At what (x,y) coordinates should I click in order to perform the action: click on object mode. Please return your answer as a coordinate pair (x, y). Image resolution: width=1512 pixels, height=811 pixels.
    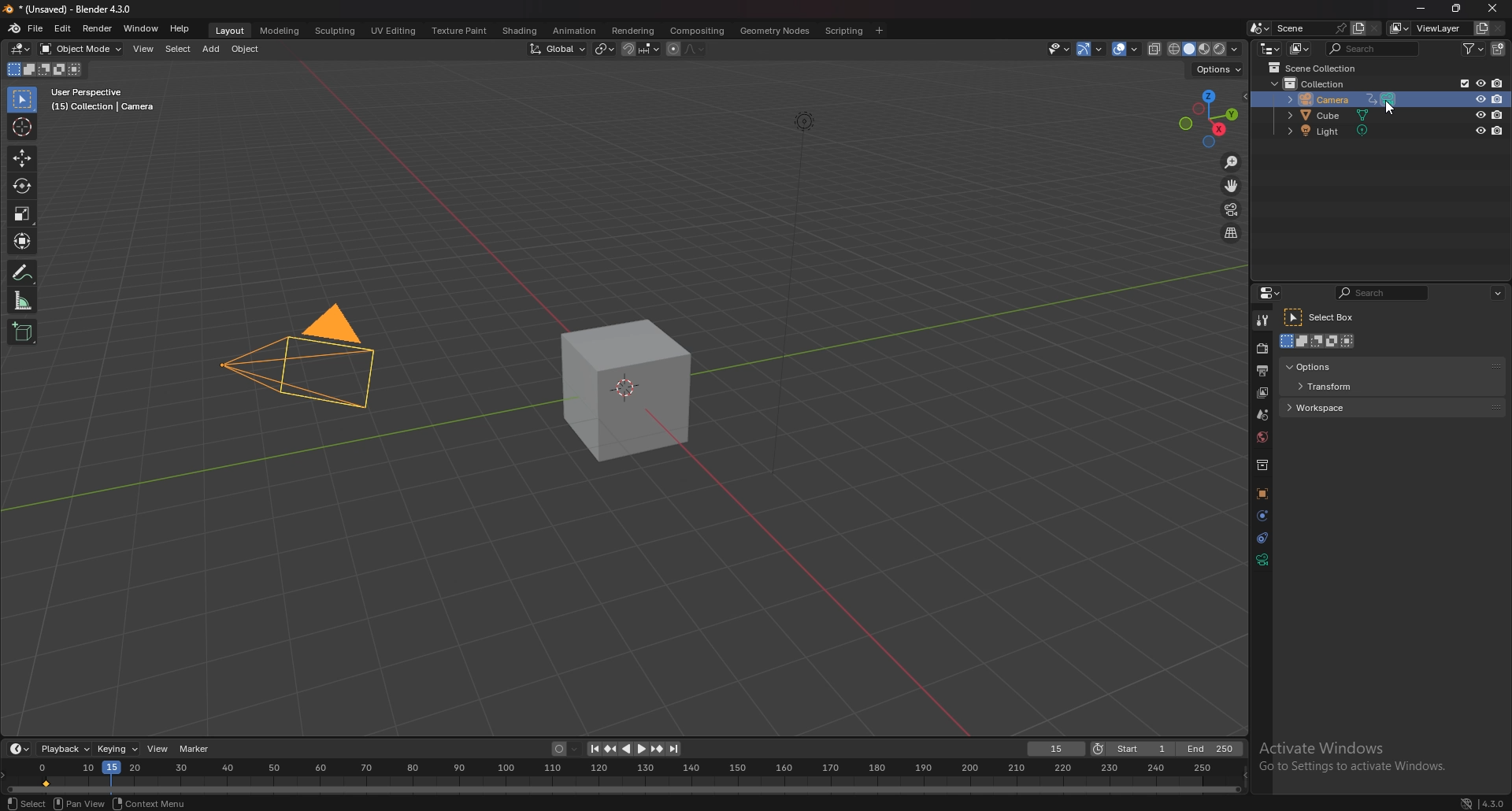
    Looking at the image, I should click on (80, 49).